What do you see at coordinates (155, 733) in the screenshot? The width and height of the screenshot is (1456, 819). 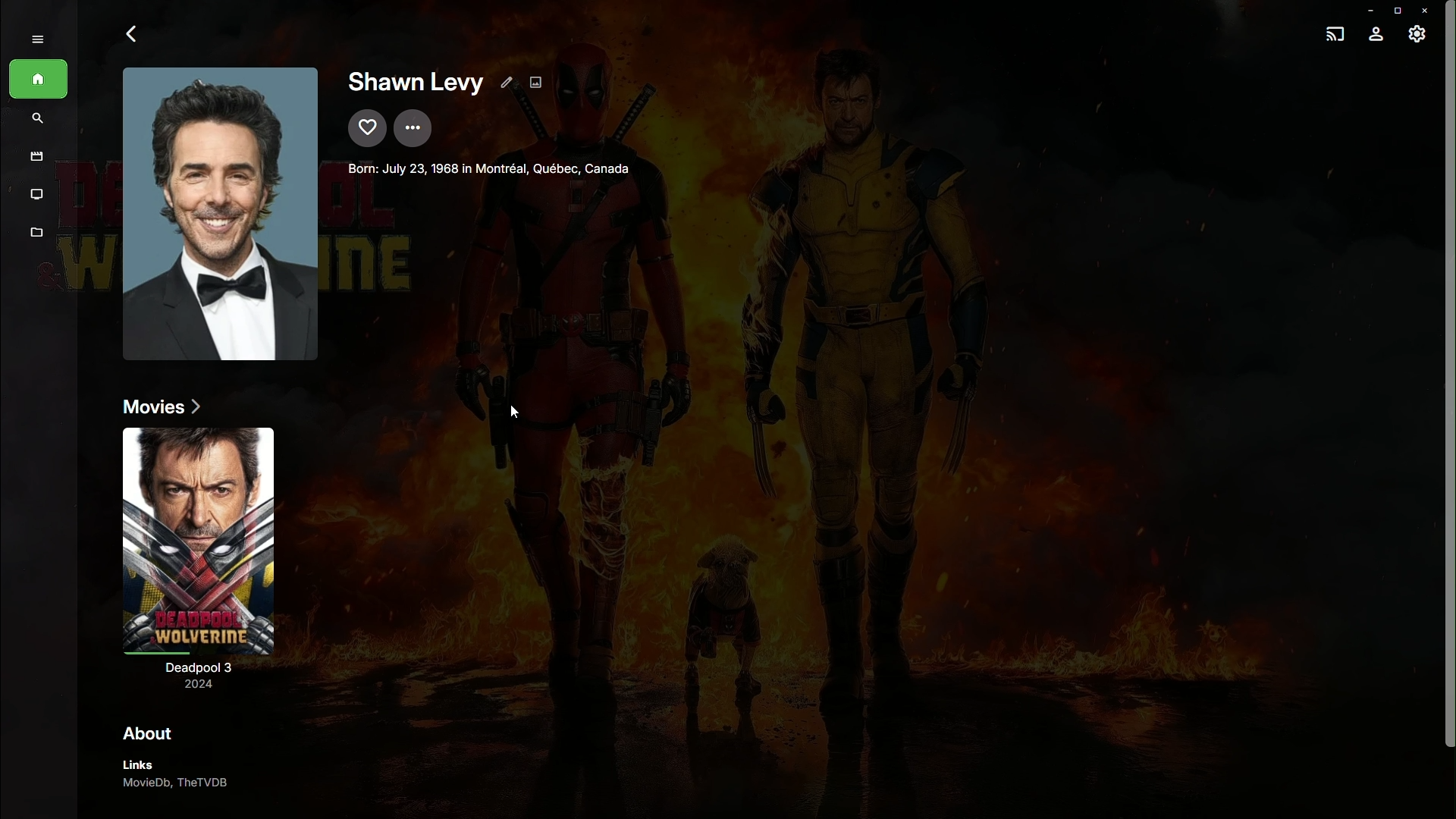 I see `About` at bounding box center [155, 733].